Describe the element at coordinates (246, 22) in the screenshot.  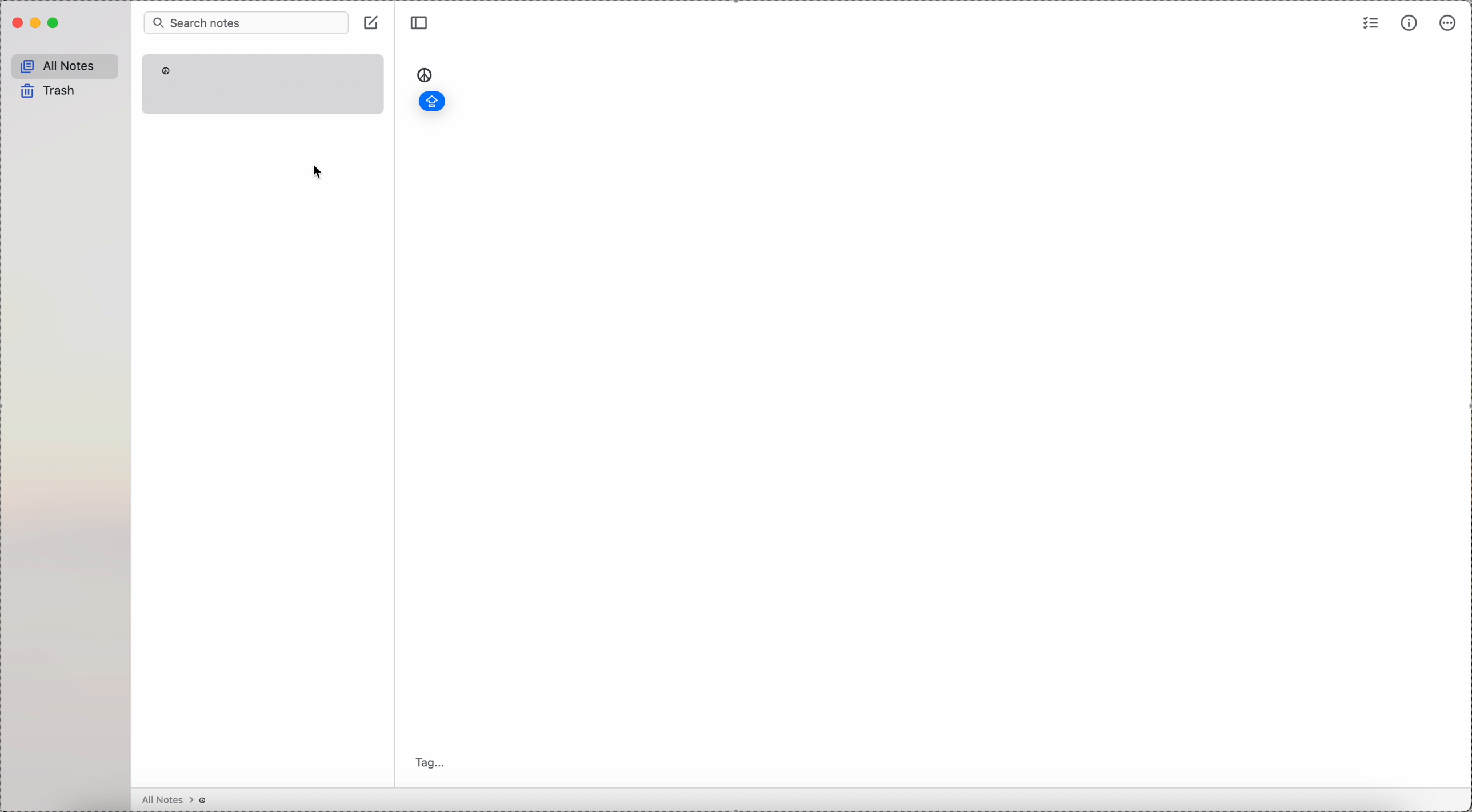
I see `search bar` at that location.